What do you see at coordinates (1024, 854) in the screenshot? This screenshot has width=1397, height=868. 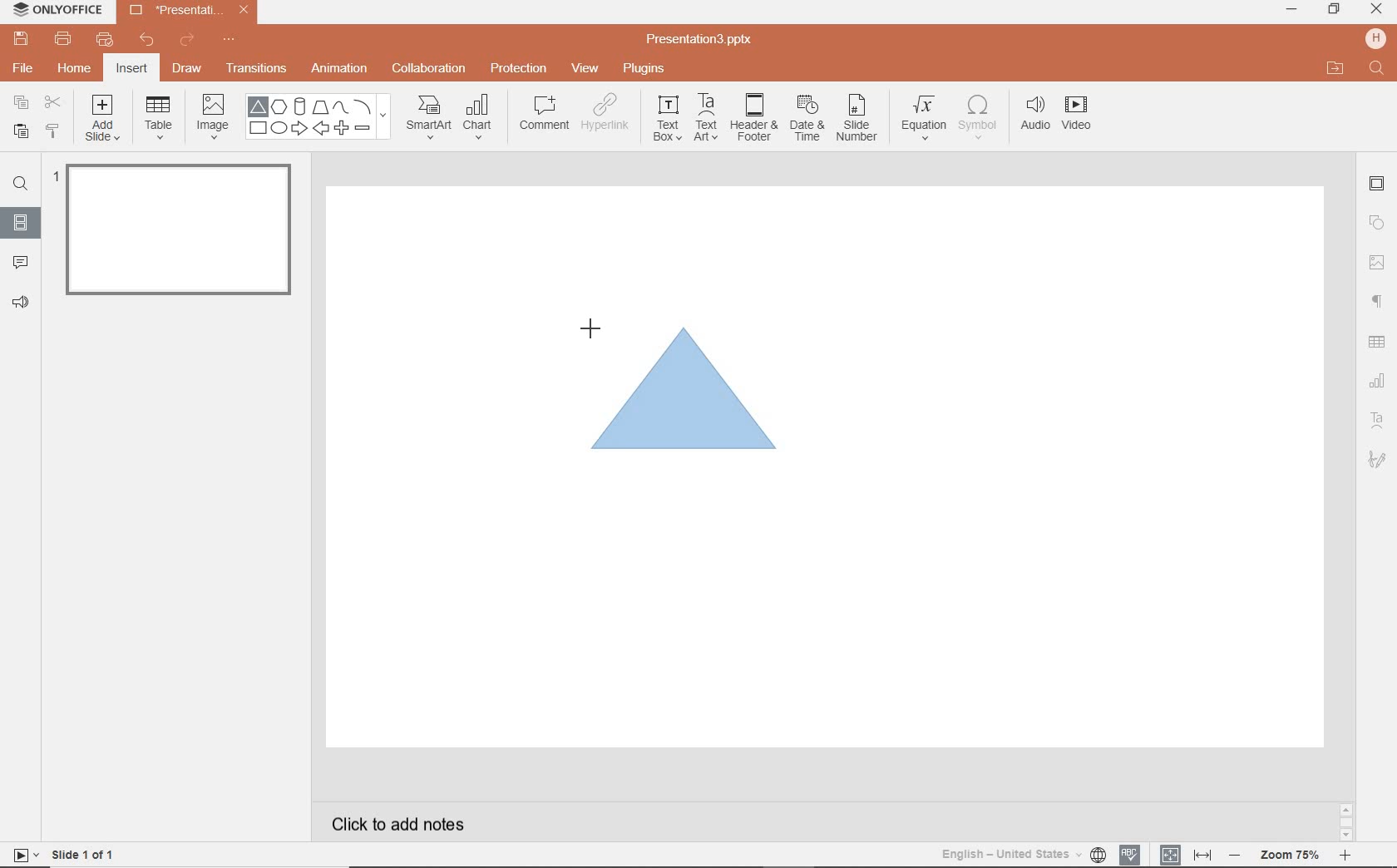 I see `TEXT LANGUAGE` at bounding box center [1024, 854].